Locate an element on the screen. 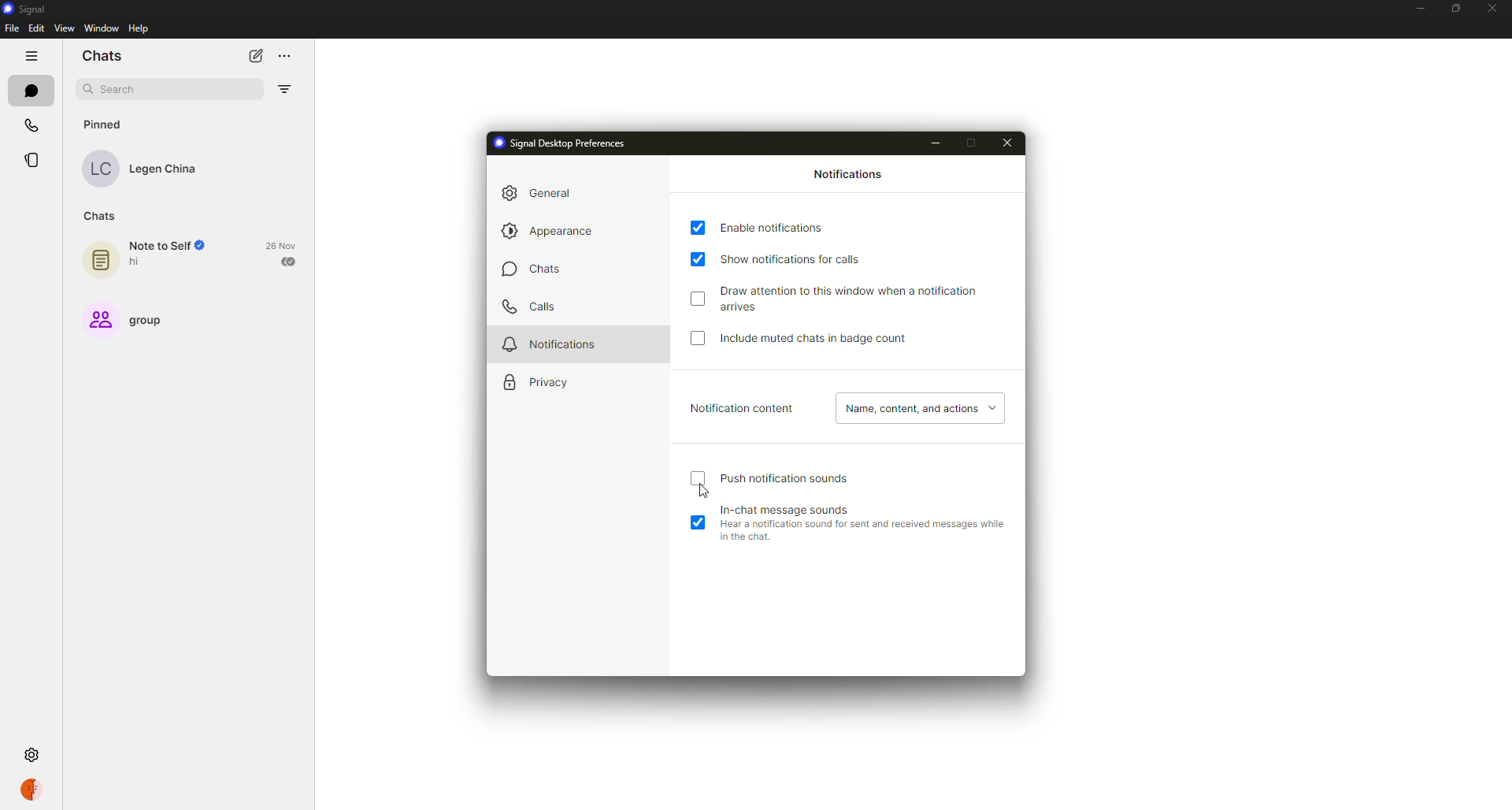  filter is located at coordinates (287, 86).